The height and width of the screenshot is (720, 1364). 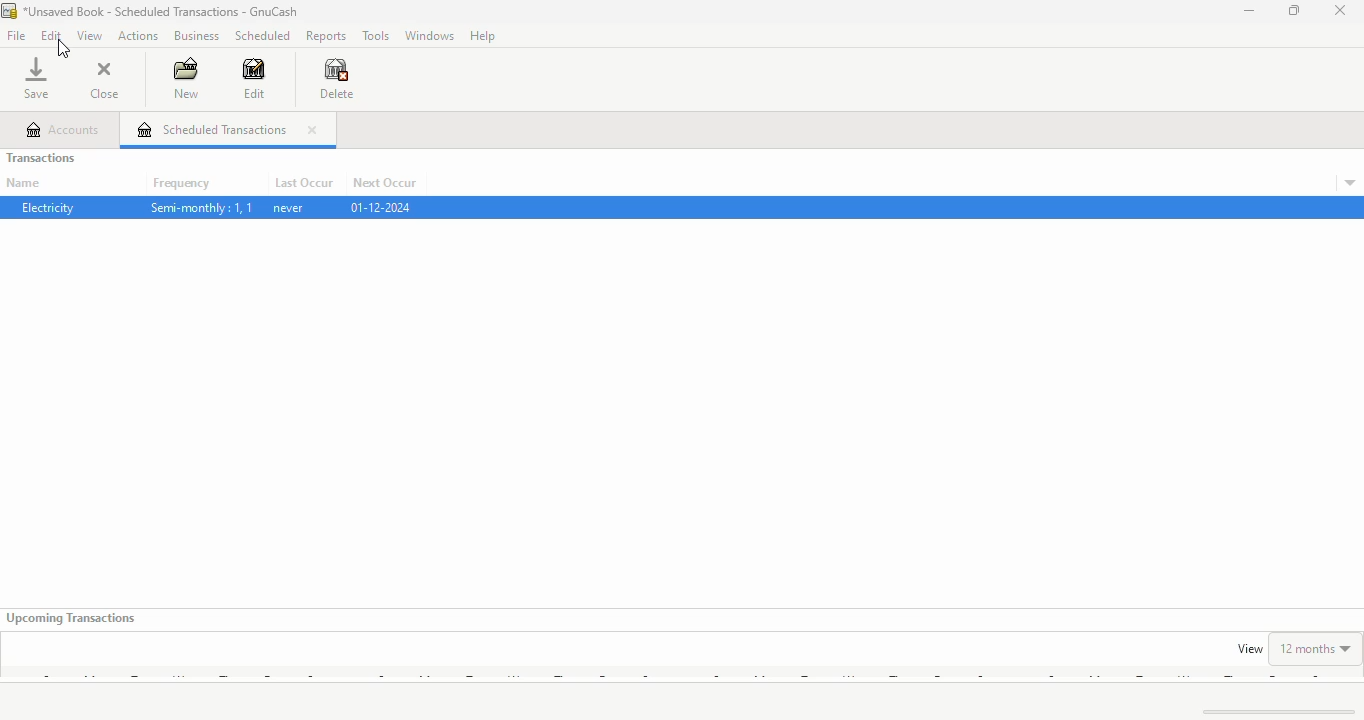 What do you see at coordinates (311, 130) in the screenshot?
I see `close tab` at bounding box center [311, 130].